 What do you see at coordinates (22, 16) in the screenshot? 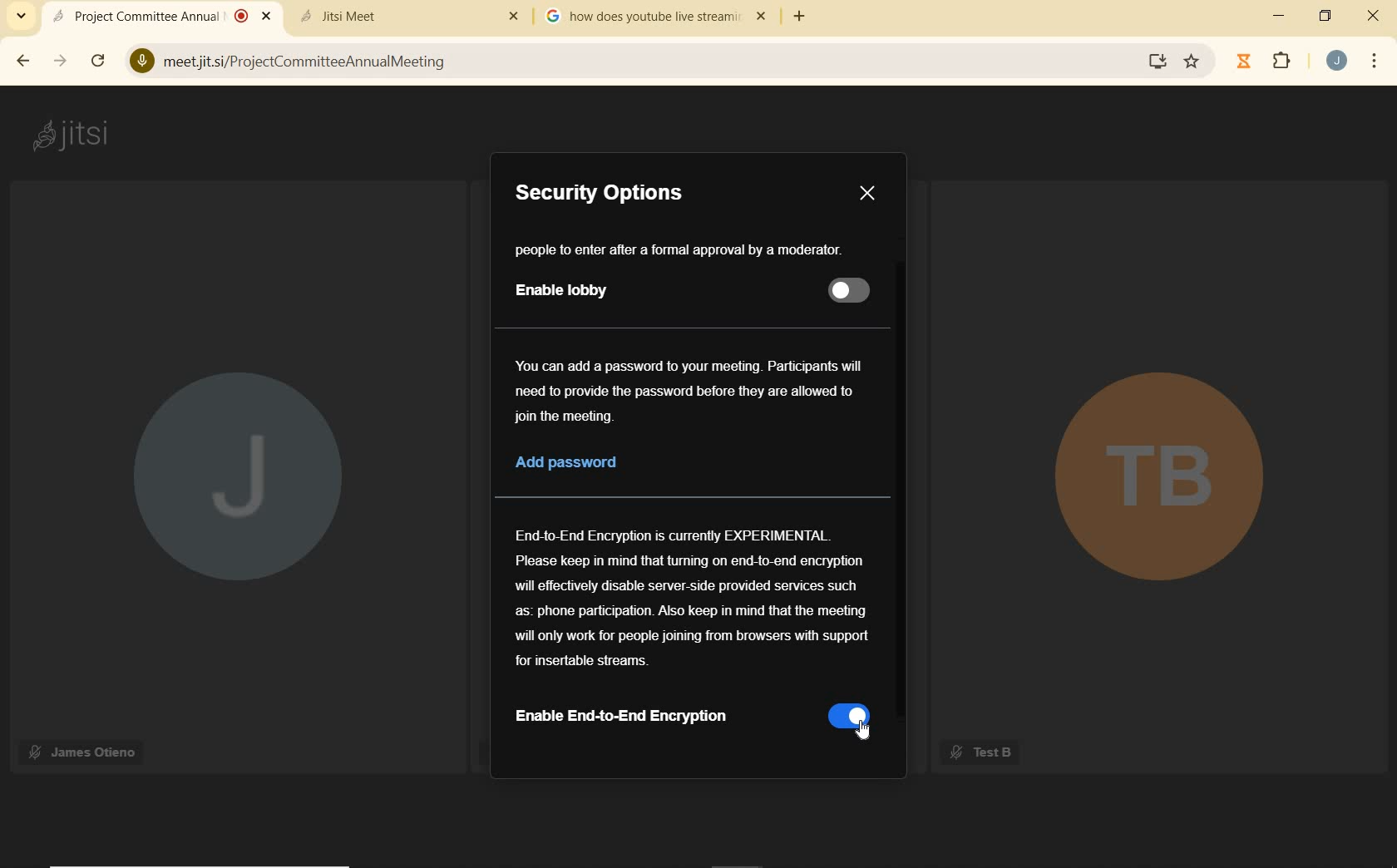
I see `SEARCH TABS` at bounding box center [22, 16].